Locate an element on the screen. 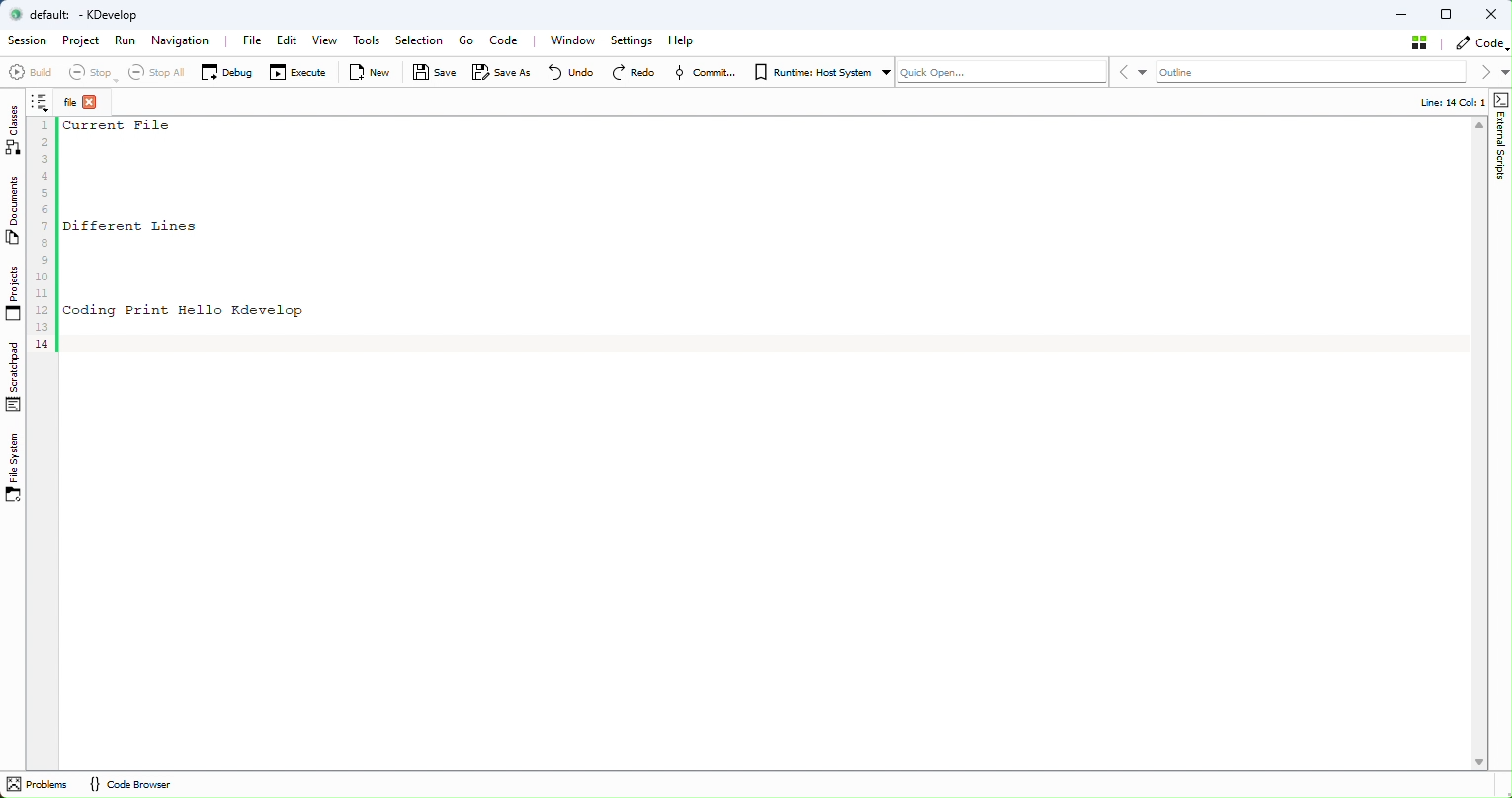 This screenshot has height=798, width=1512. View is located at coordinates (324, 45).